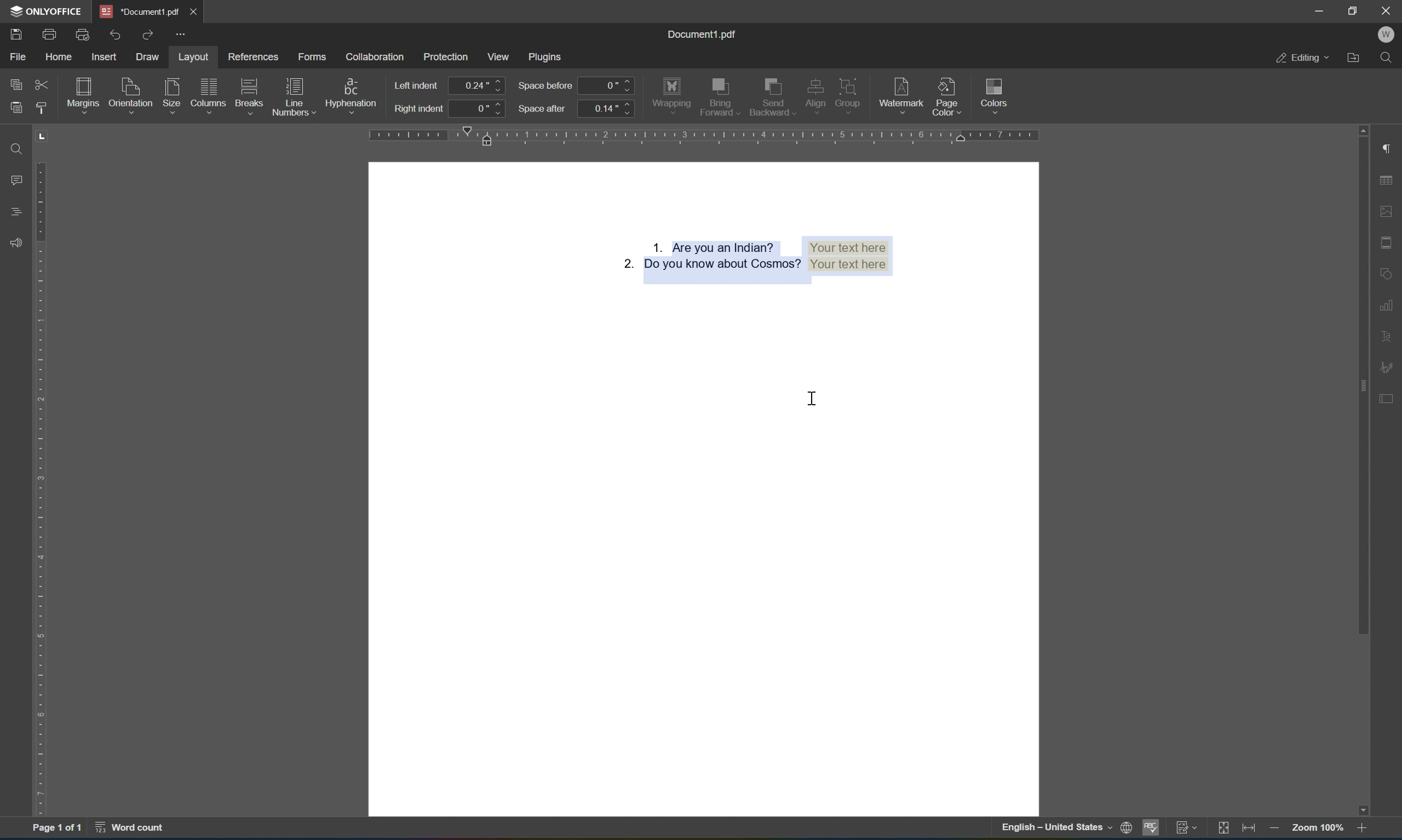 The height and width of the screenshot is (840, 1402). What do you see at coordinates (1388, 309) in the screenshot?
I see `chart settings` at bounding box center [1388, 309].